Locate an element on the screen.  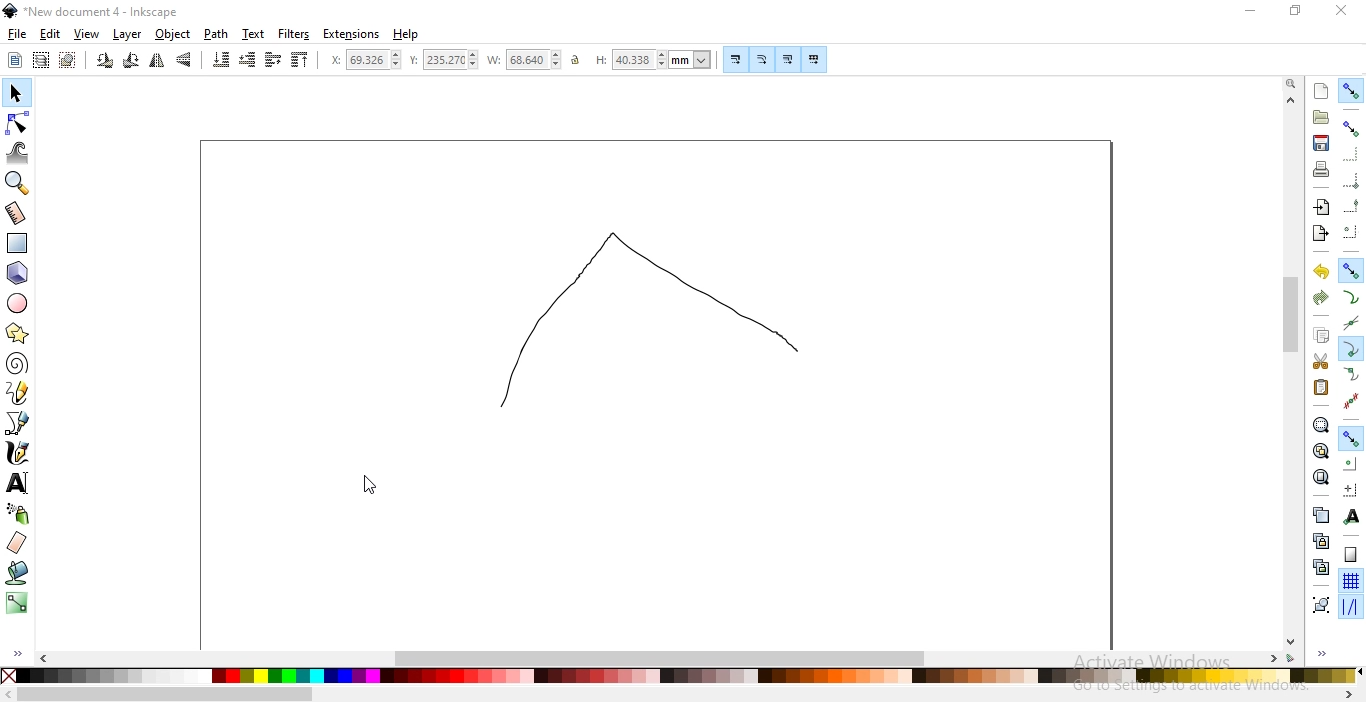
copy is located at coordinates (1320, 333).